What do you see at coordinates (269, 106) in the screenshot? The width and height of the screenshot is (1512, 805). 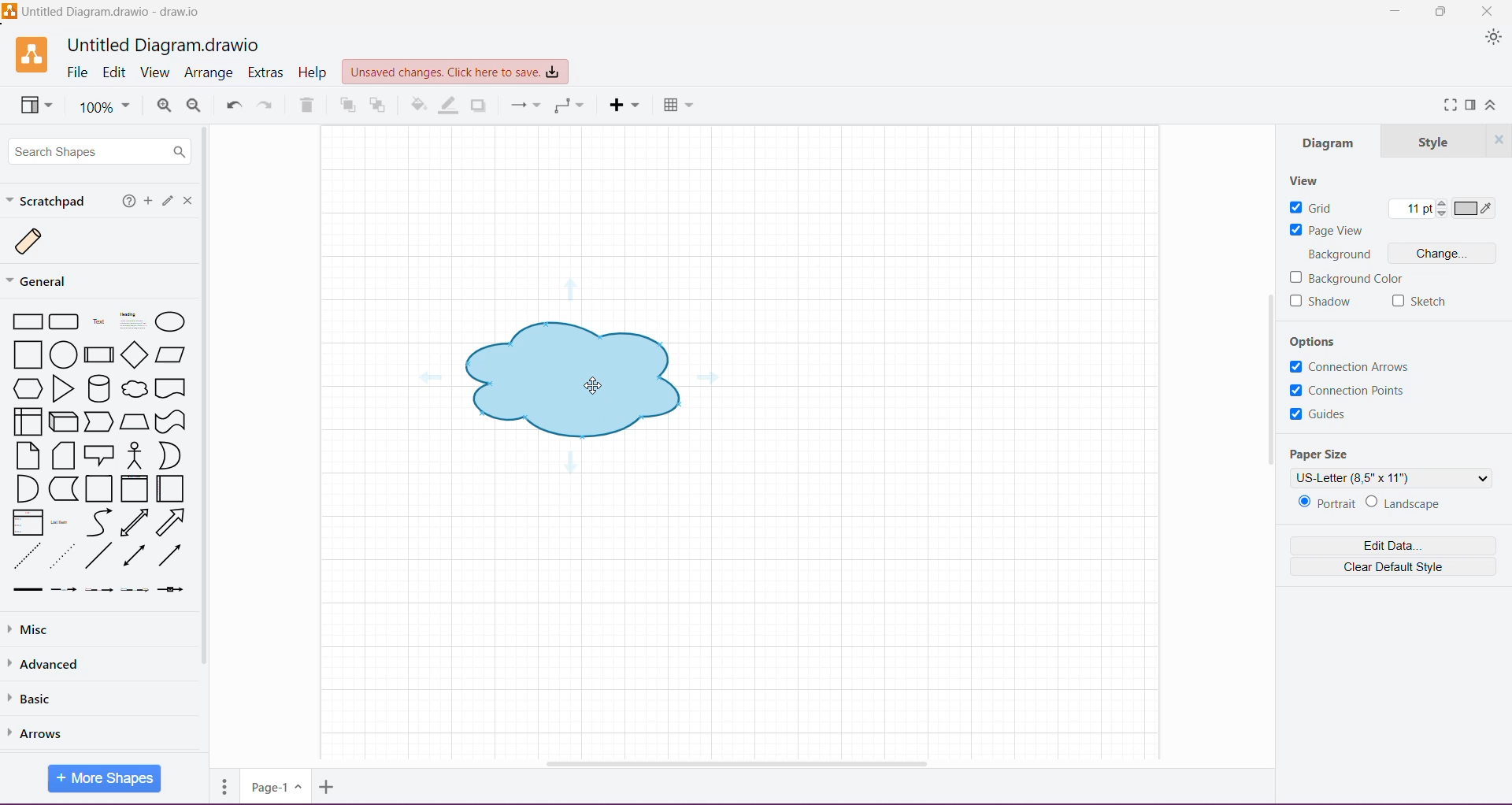 I see `Redo` at bounding box center [269, 106].